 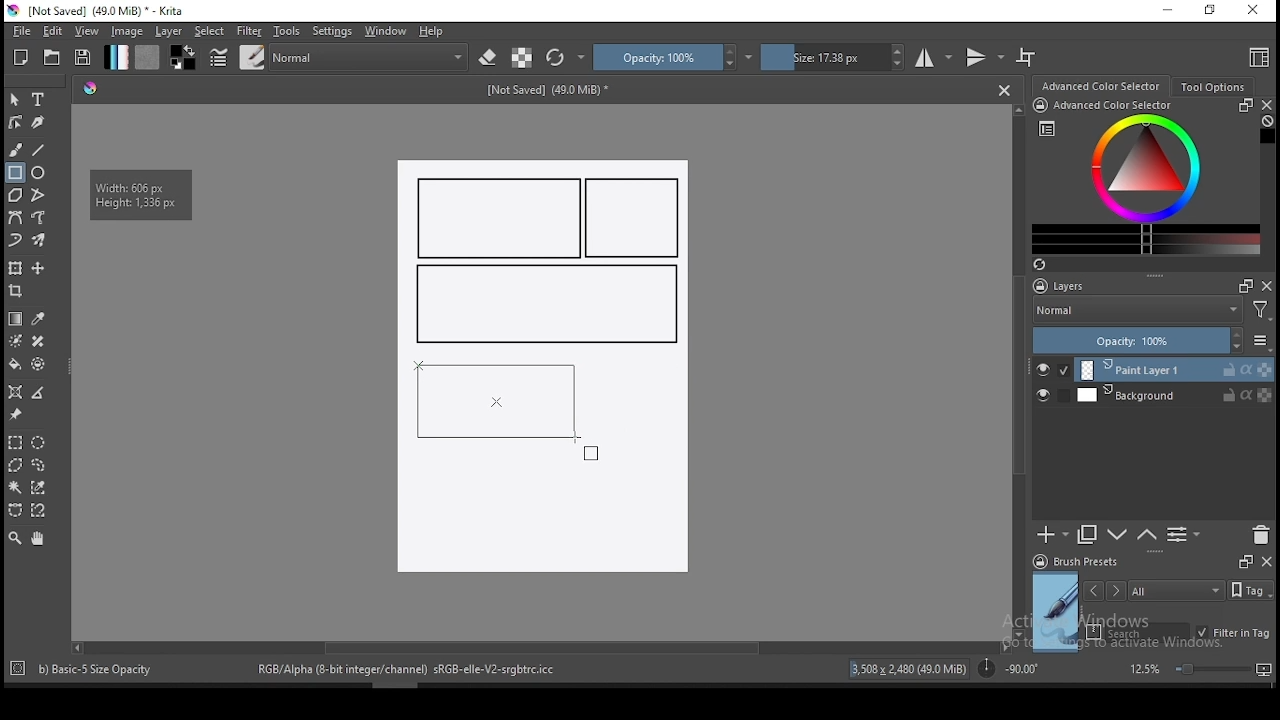 I want to click on pick a color from image and current layer, so click(x=39, y=319).